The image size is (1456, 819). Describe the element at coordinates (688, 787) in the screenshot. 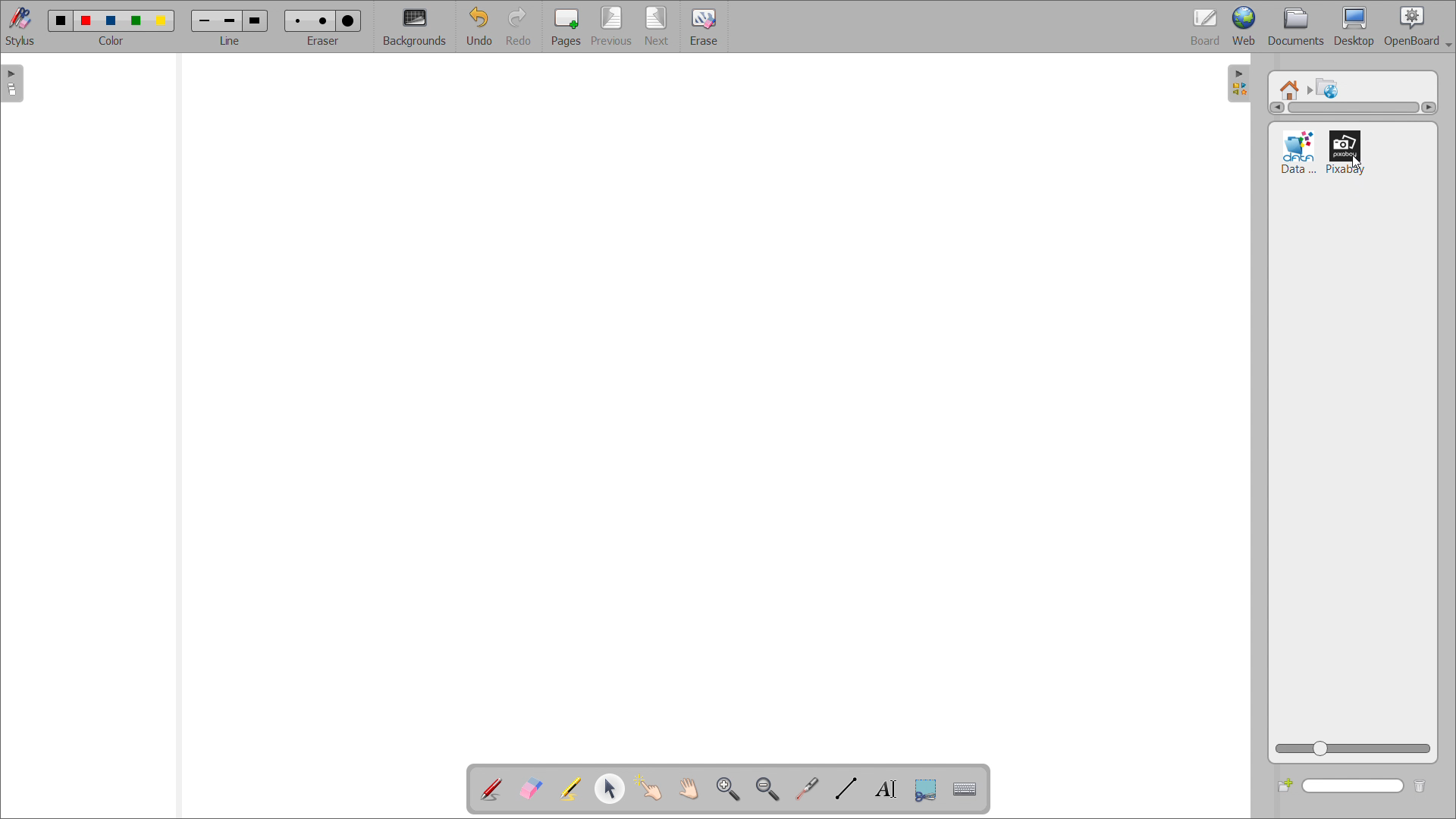

I see `scroll page` at that location.